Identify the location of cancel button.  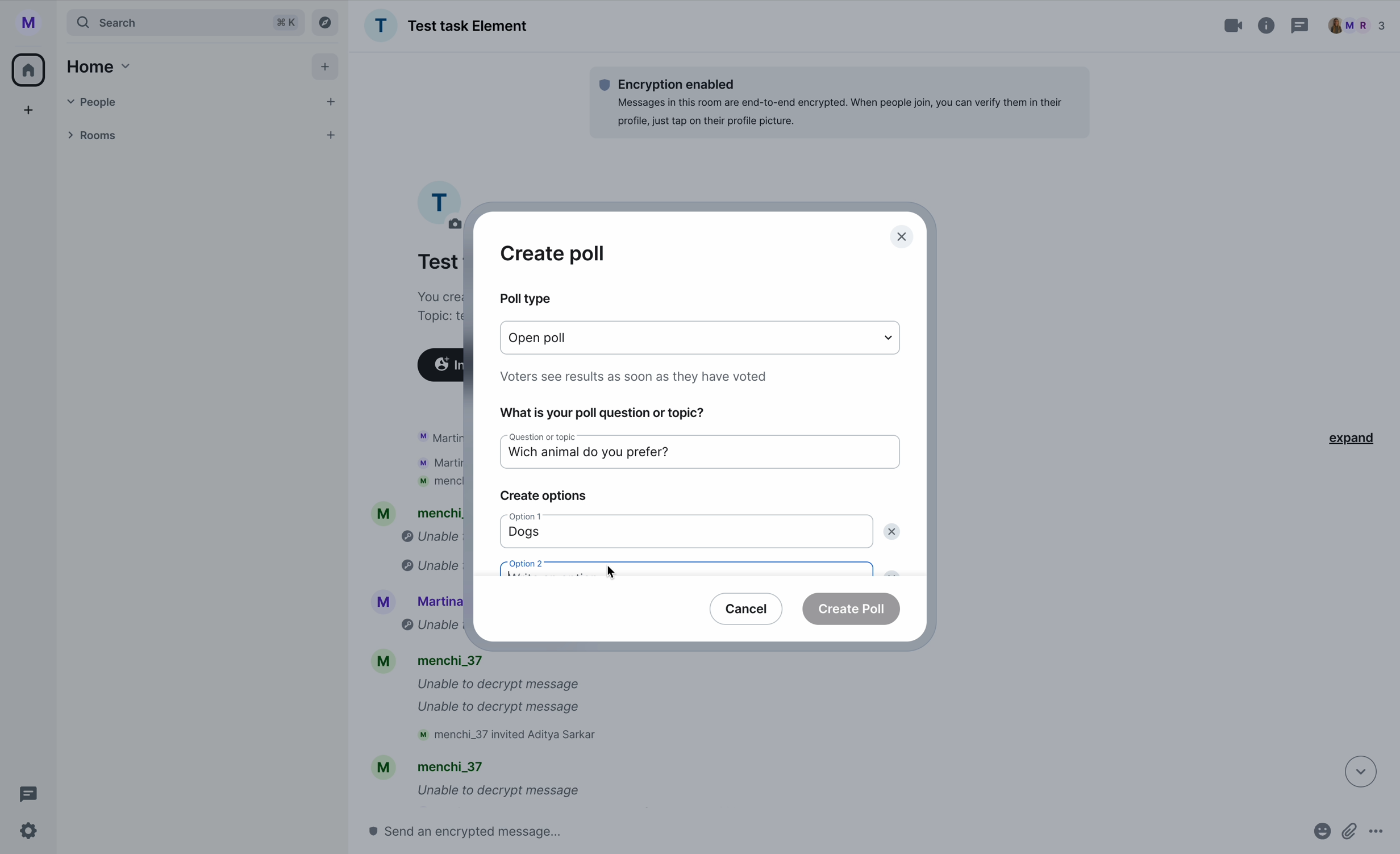
(747, 607).